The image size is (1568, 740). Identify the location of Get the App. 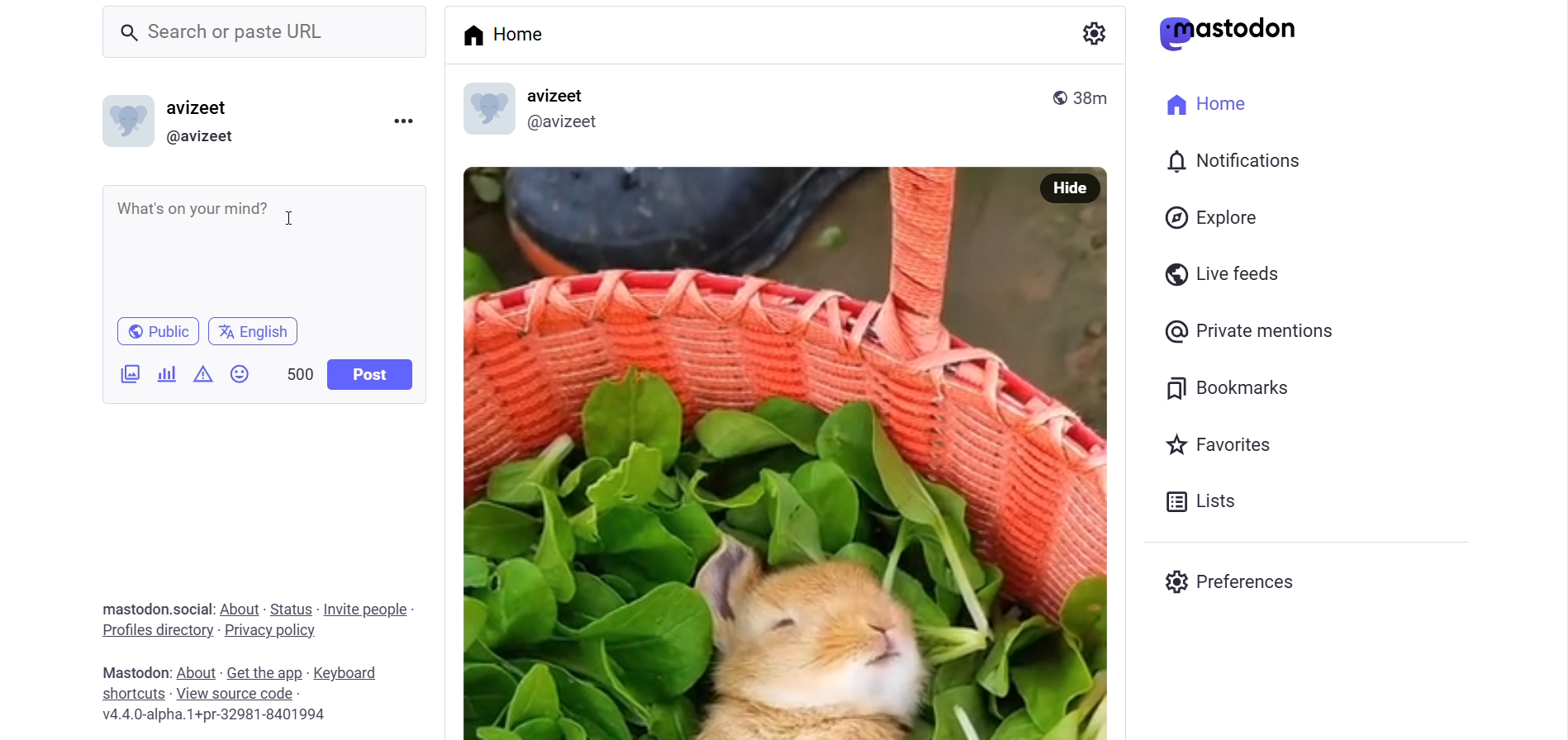
(265, 673).